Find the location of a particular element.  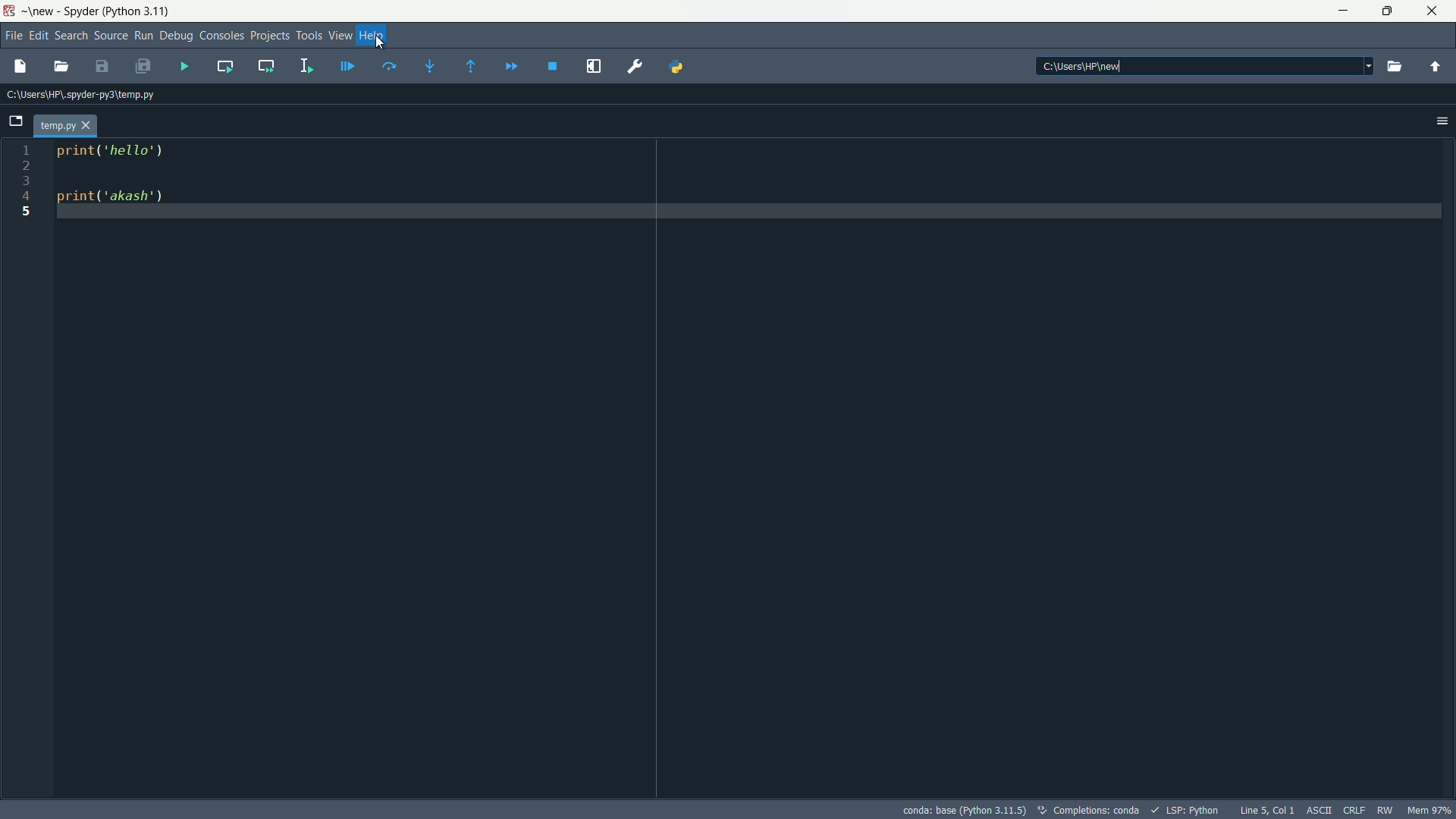

execute current line is located at coordinates (388, 66).